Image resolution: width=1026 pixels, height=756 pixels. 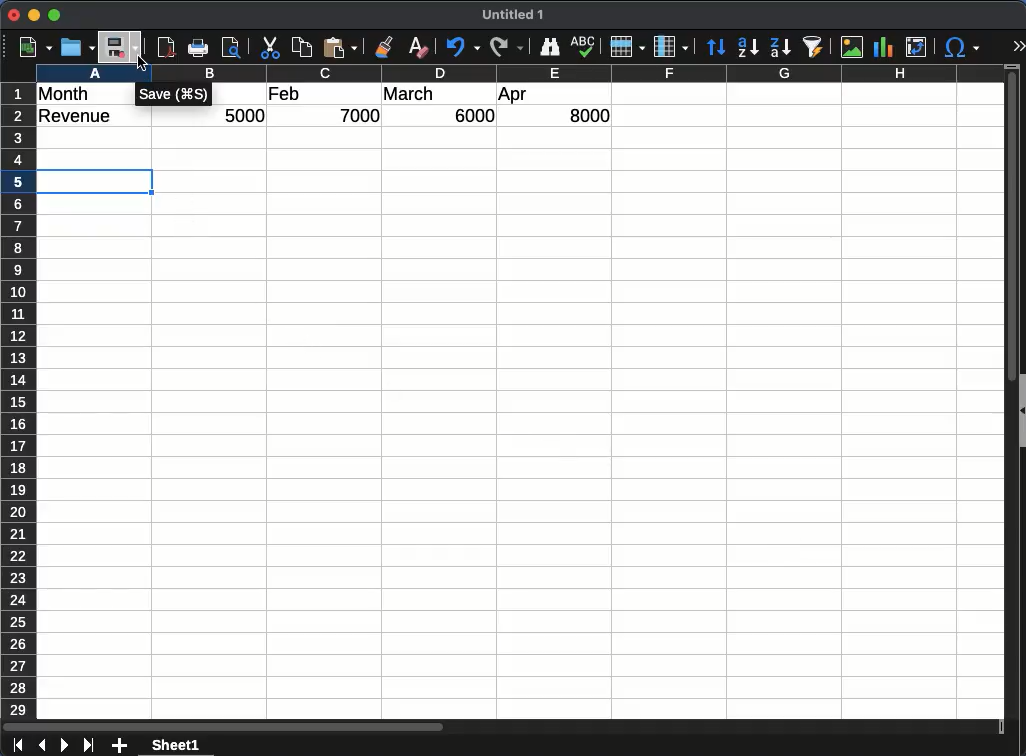 What do you see at coordinates (342, 48) in the screenshot?
I see `paste` at bounding box center [342, 48].